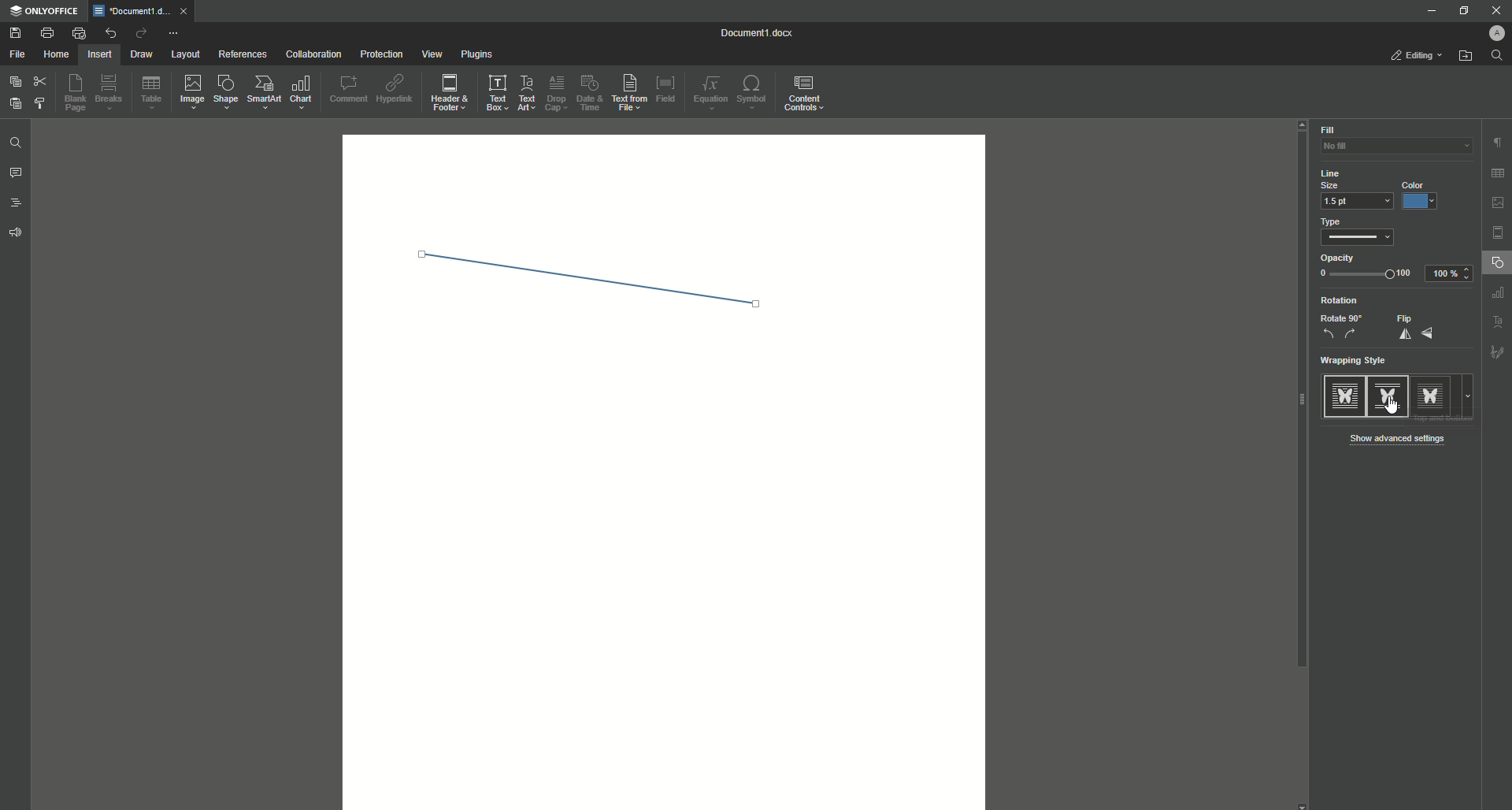  I want to click on Shape Settings, so click(1496, 265).